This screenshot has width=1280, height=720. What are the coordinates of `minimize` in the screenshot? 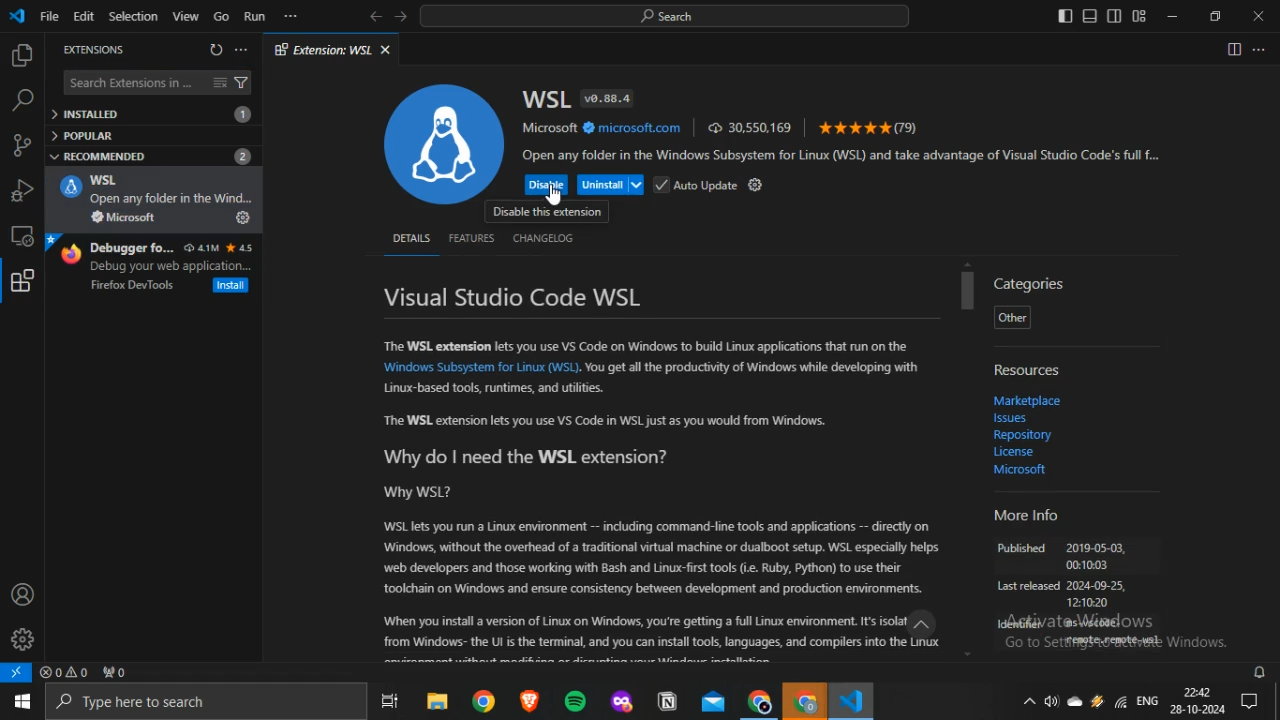 It's located at (1172, 16).